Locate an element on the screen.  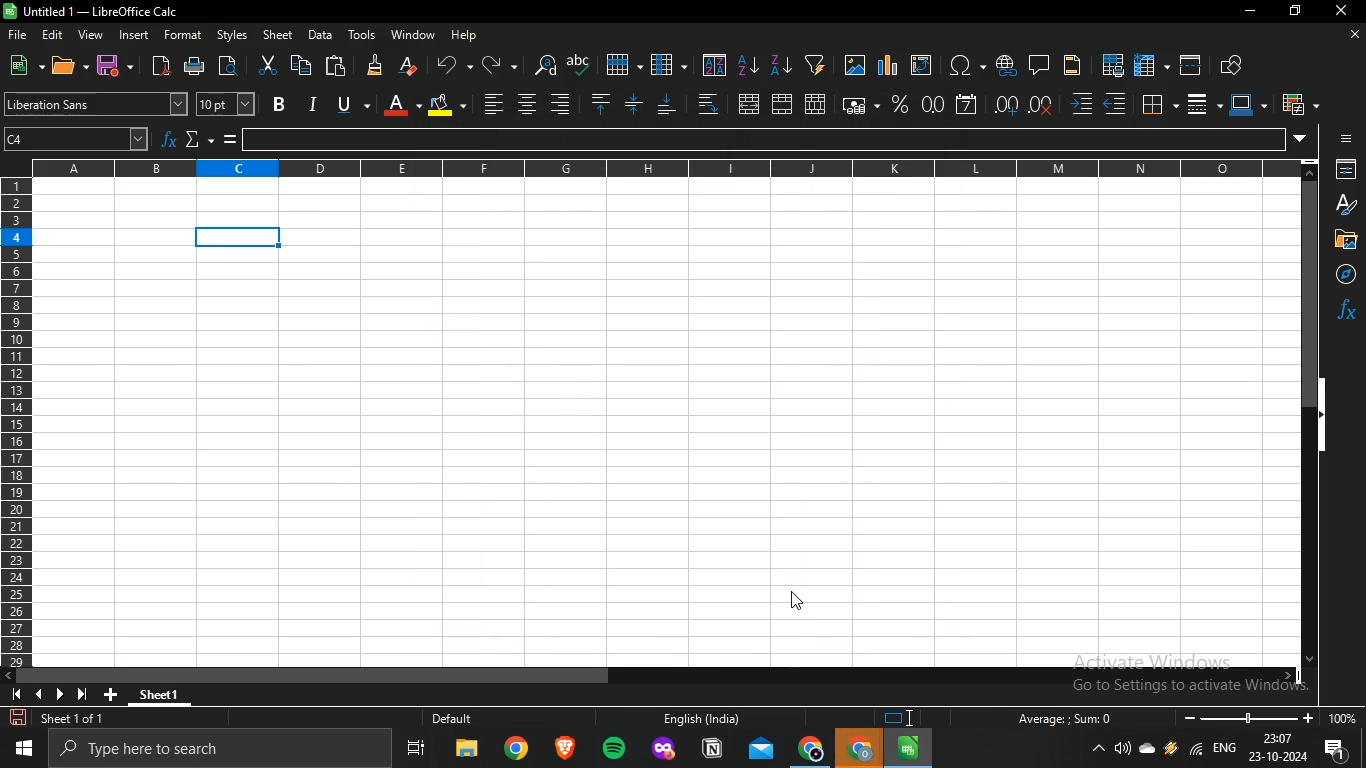
merge and center or unmerge is located at coordinates (749, 103).